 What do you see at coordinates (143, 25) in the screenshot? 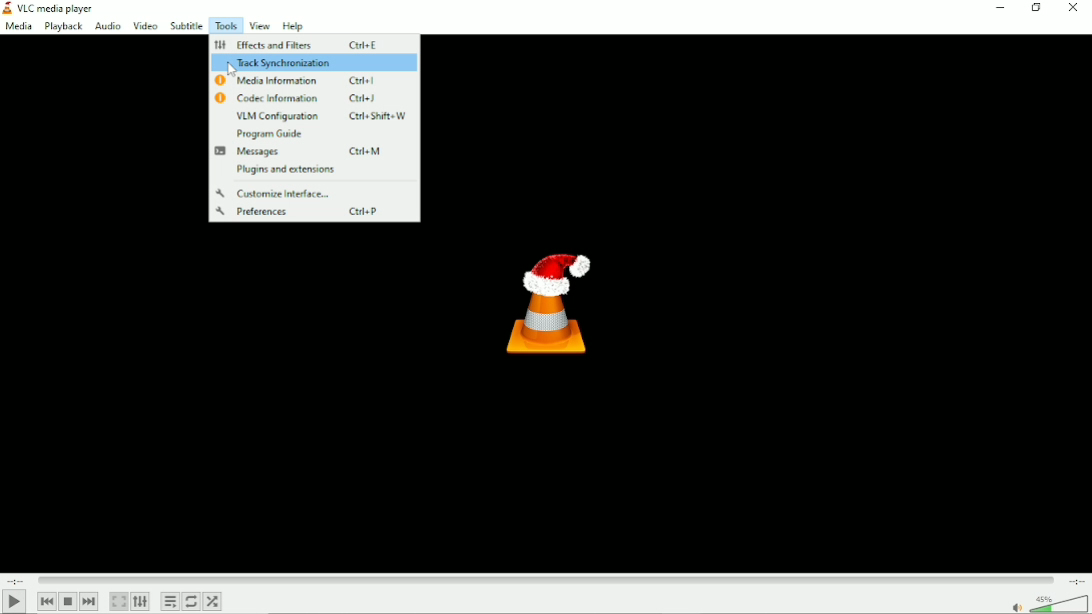
I see `Video` at bounding box center [143, 25].